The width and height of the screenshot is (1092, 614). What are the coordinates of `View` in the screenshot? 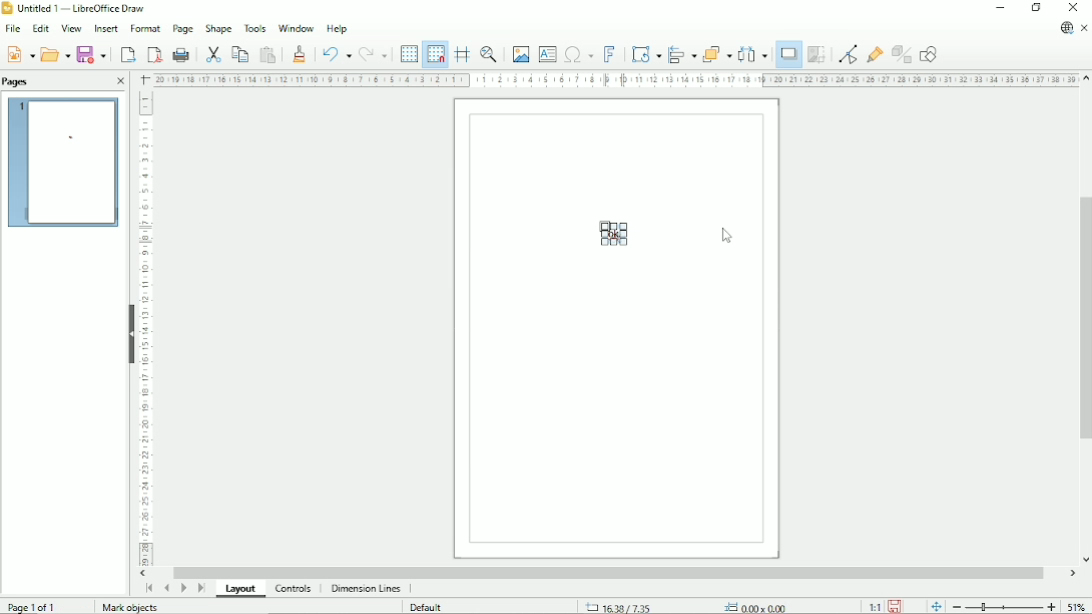 It's located at (69, 28).